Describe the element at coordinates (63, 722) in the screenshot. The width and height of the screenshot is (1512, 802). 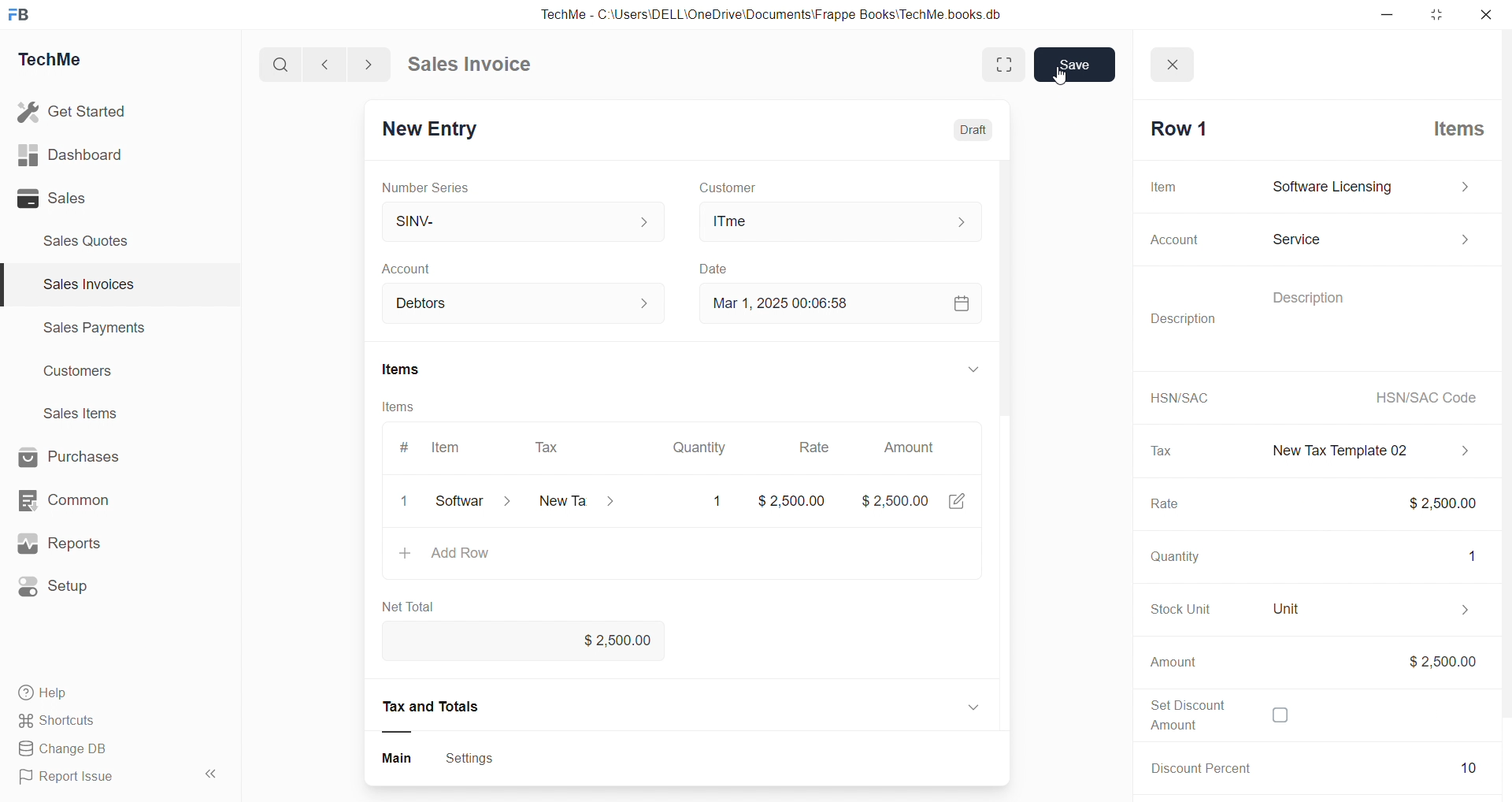
I see ` Shortcuts` at that location.